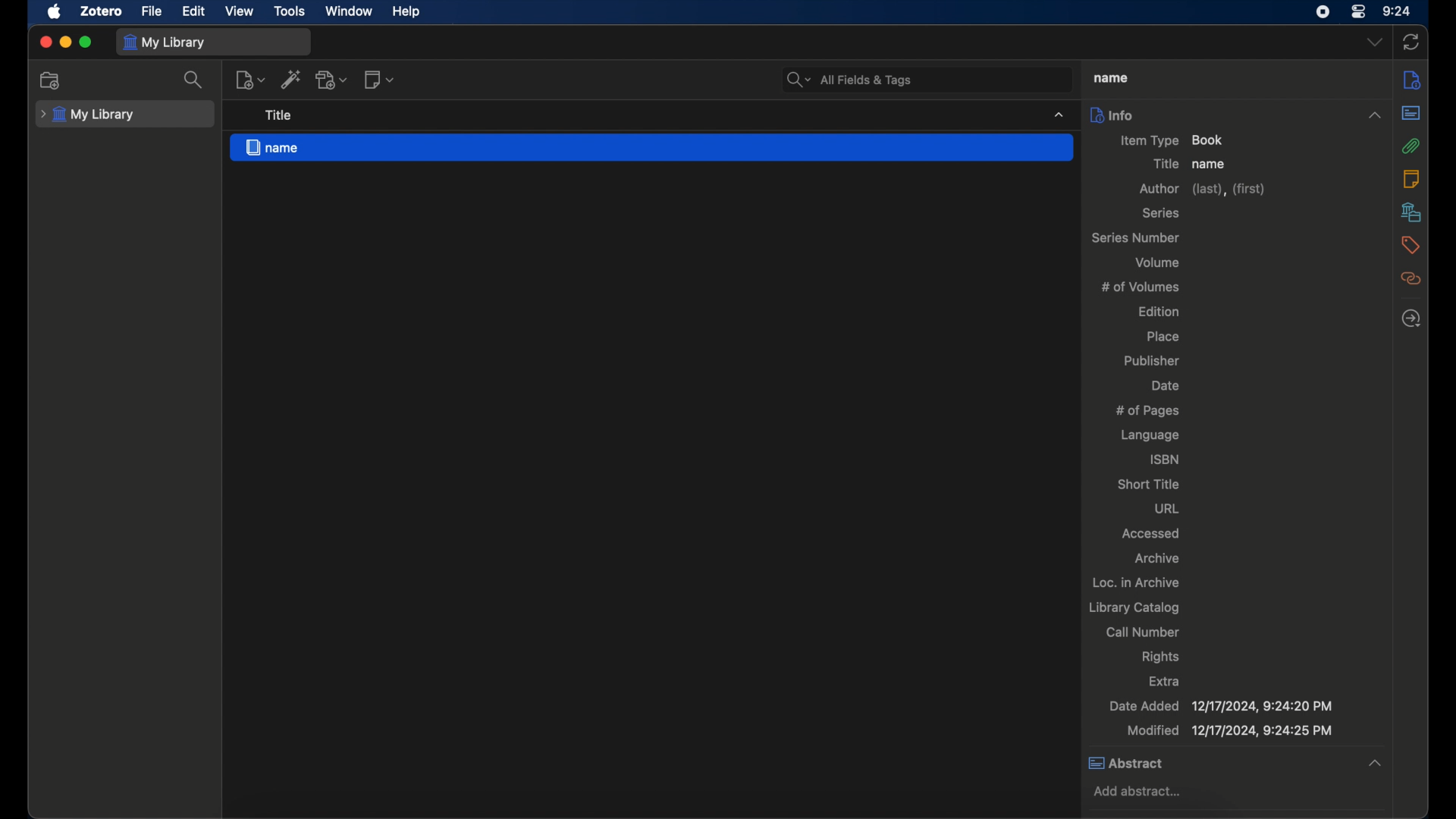  Describe the element at coordinates (1151, 532) in the screenshot. I see `accessed` at that location.